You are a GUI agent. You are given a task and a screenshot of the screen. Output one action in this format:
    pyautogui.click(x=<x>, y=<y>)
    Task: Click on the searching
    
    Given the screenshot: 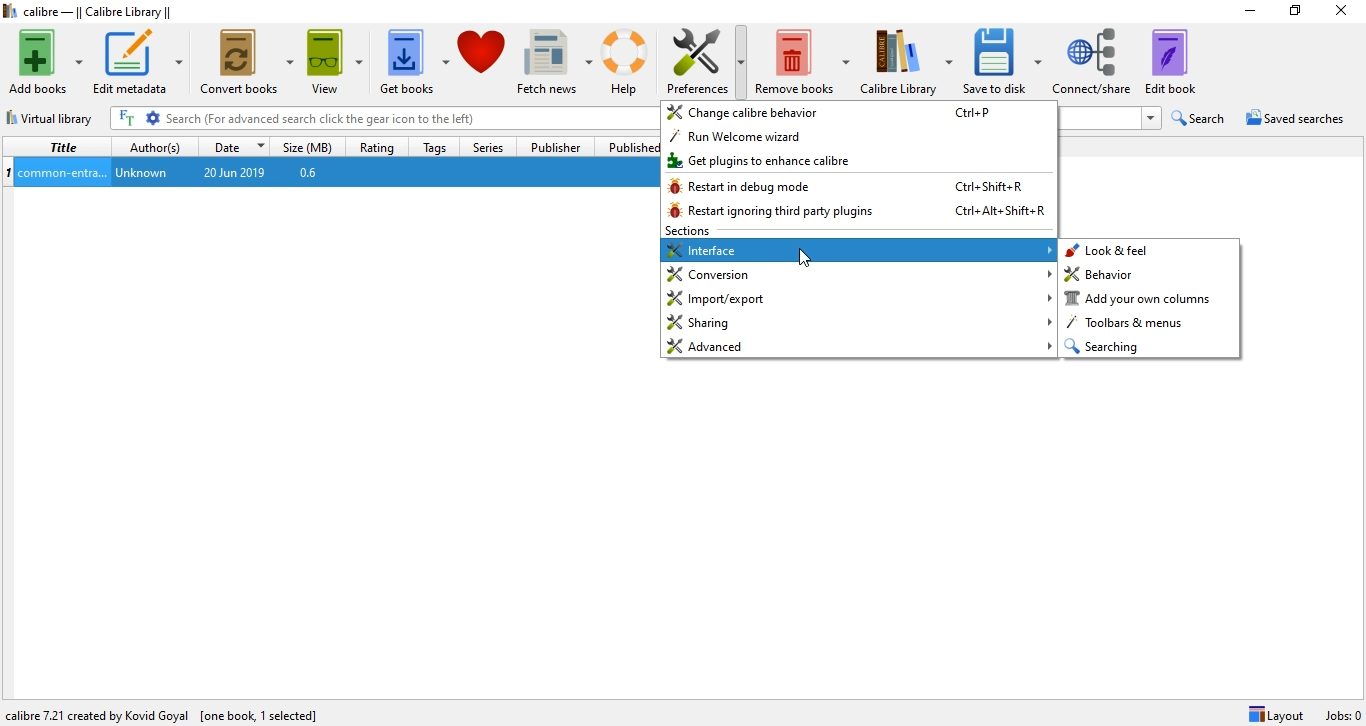 What is the action you would take?
    pyautogui.click(x=1147, y=346)
    